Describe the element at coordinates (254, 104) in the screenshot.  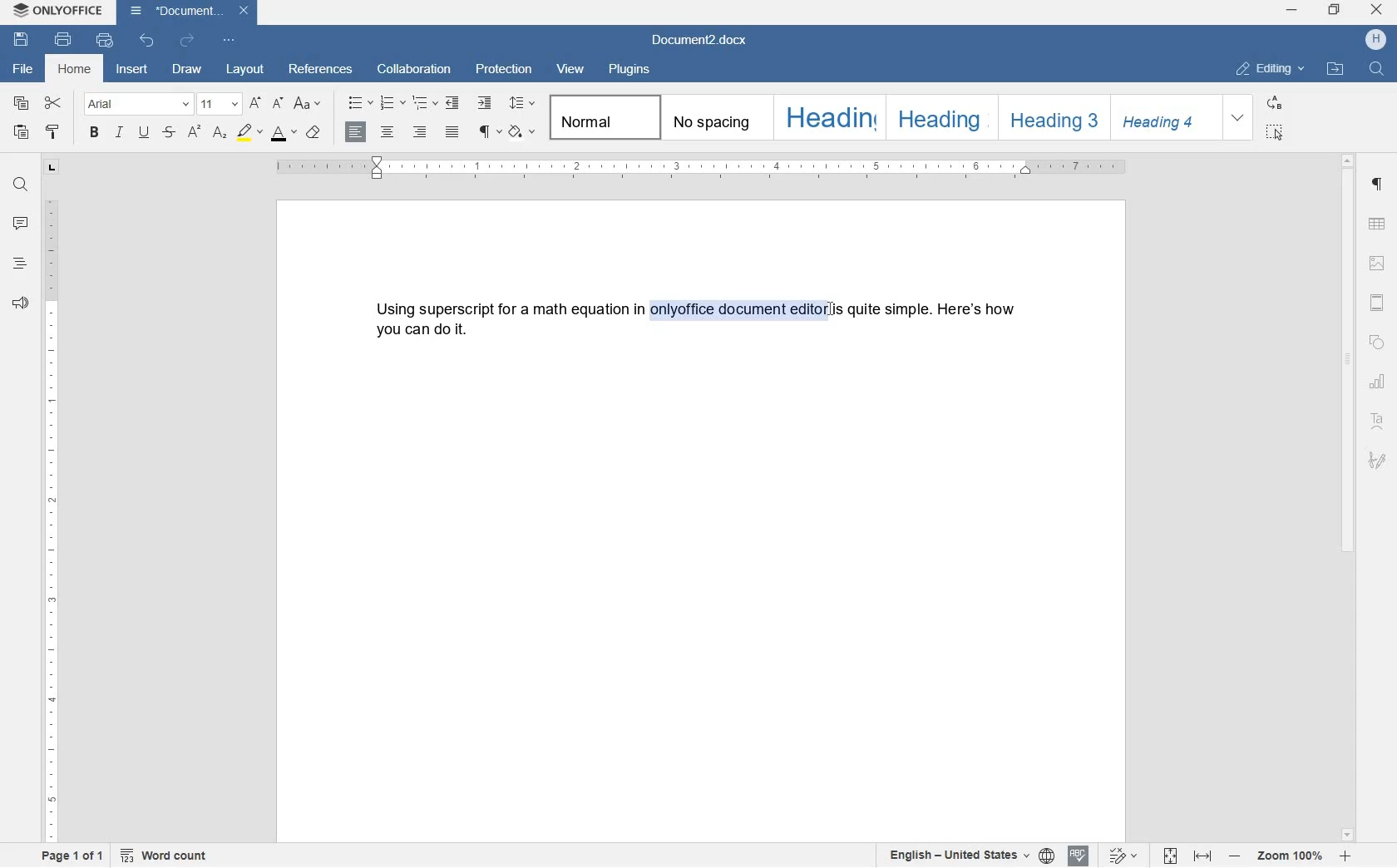
I see `increment font size` at that location.